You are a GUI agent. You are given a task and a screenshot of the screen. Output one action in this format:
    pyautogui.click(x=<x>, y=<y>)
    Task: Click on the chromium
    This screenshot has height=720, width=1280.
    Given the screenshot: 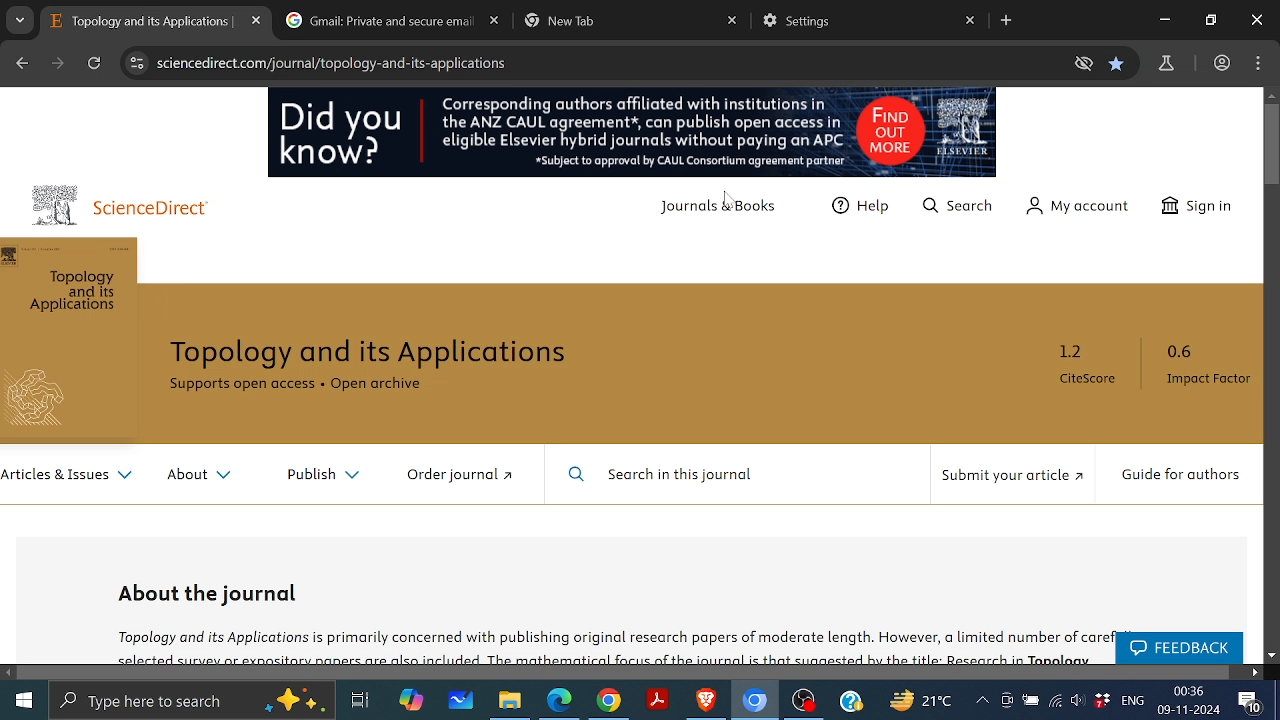 What is the action you would take?
    pyautogui.click(x=755, y=702)
    